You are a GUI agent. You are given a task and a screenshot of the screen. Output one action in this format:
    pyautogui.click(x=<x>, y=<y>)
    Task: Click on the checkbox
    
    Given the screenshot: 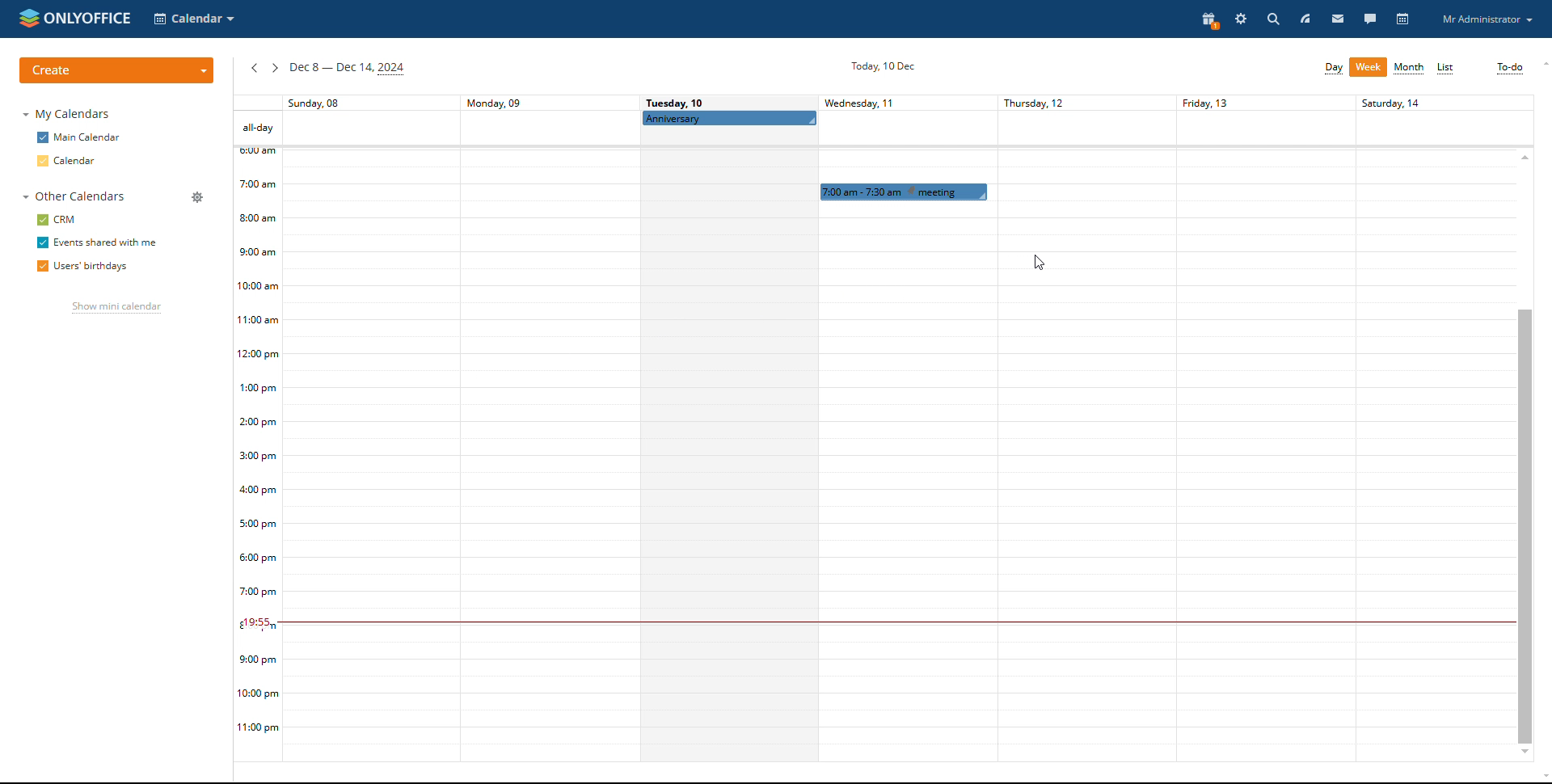 What is the action you would take?
    pyautogui.click(x=41, y=219)
    